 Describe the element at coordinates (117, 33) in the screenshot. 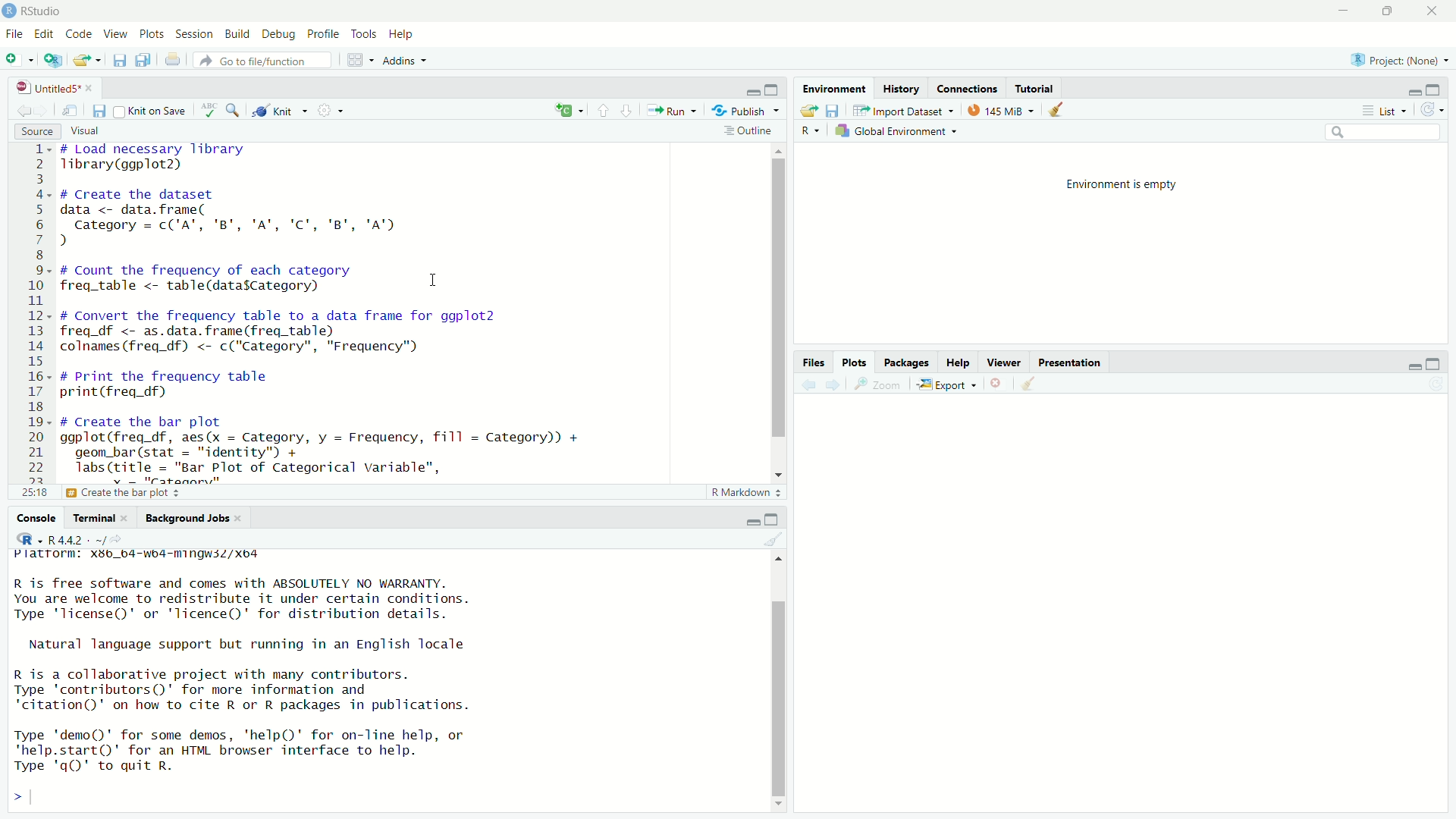

I see `view` at that location.